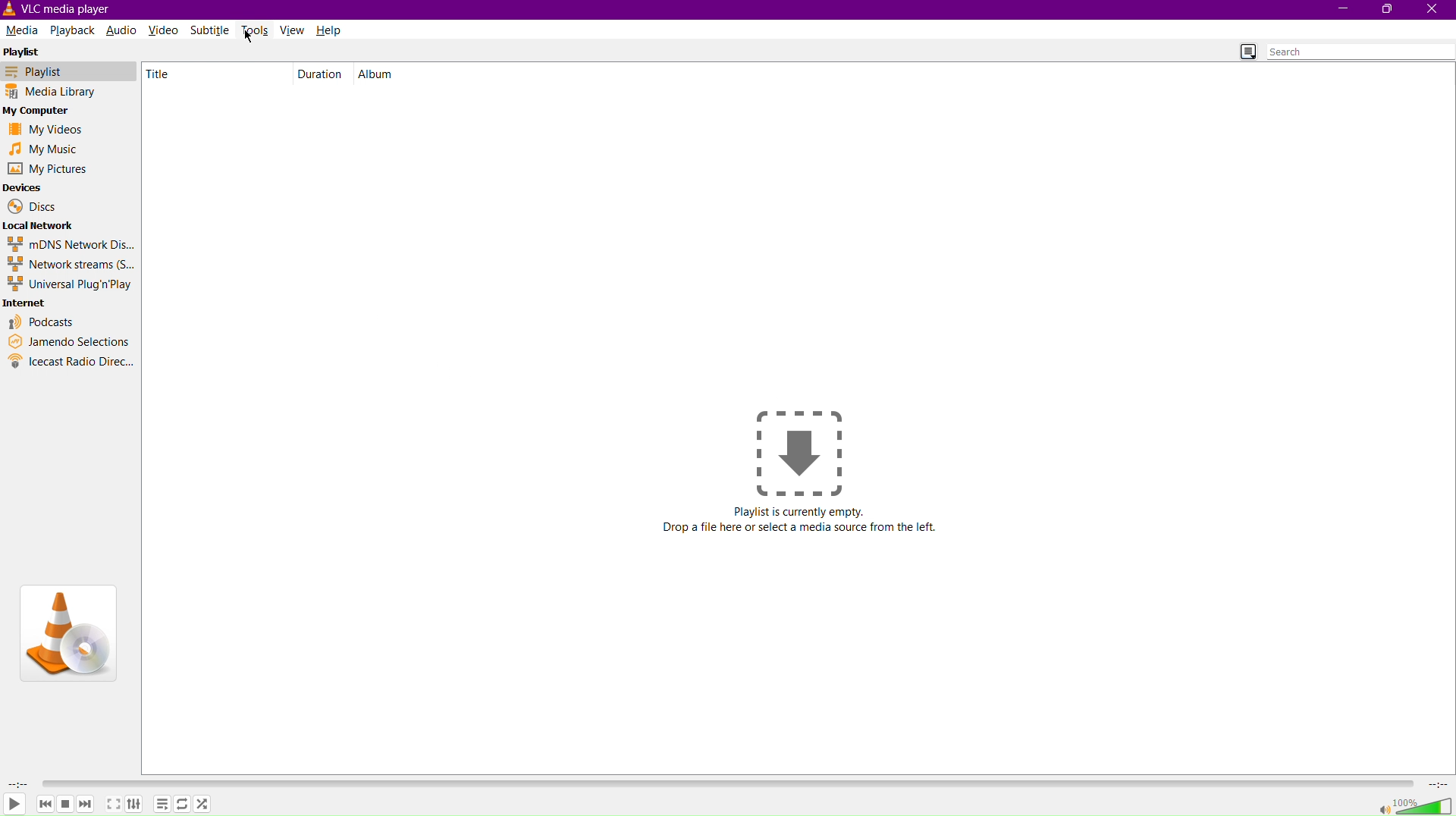  I want to click on Volume, so click(1405, 805).